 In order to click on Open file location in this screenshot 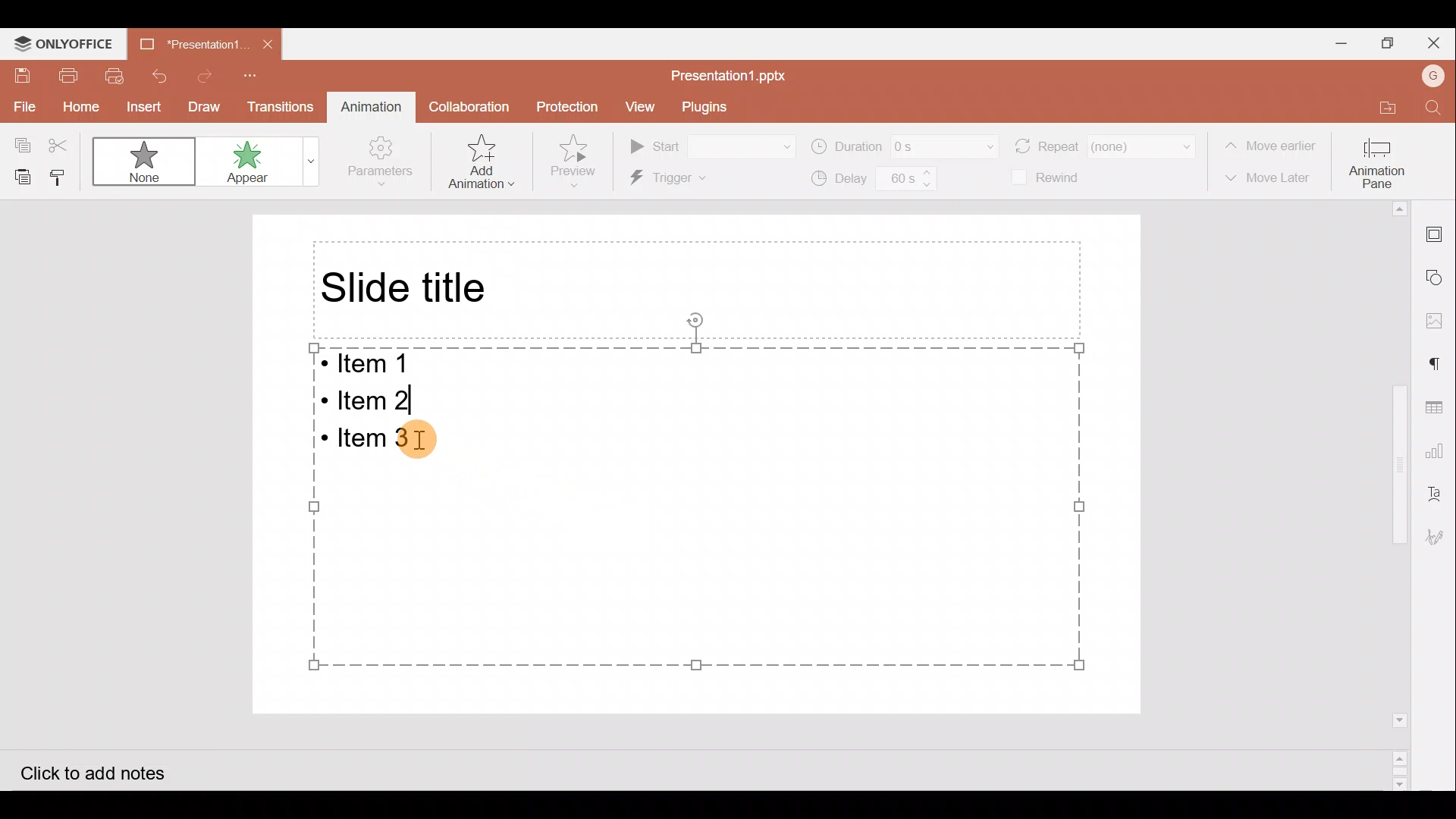, I will do `click(1379, 101)`.